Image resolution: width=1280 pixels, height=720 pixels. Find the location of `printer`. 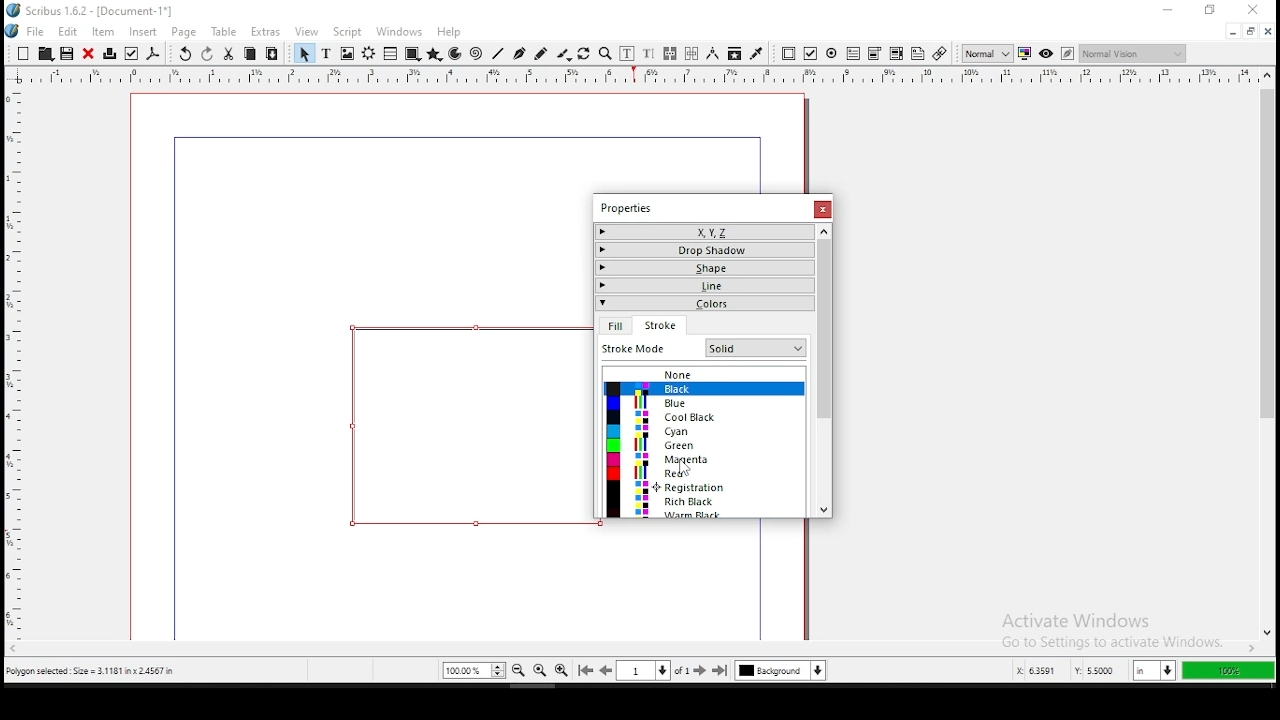

printer is located at coordinates (109, 54).